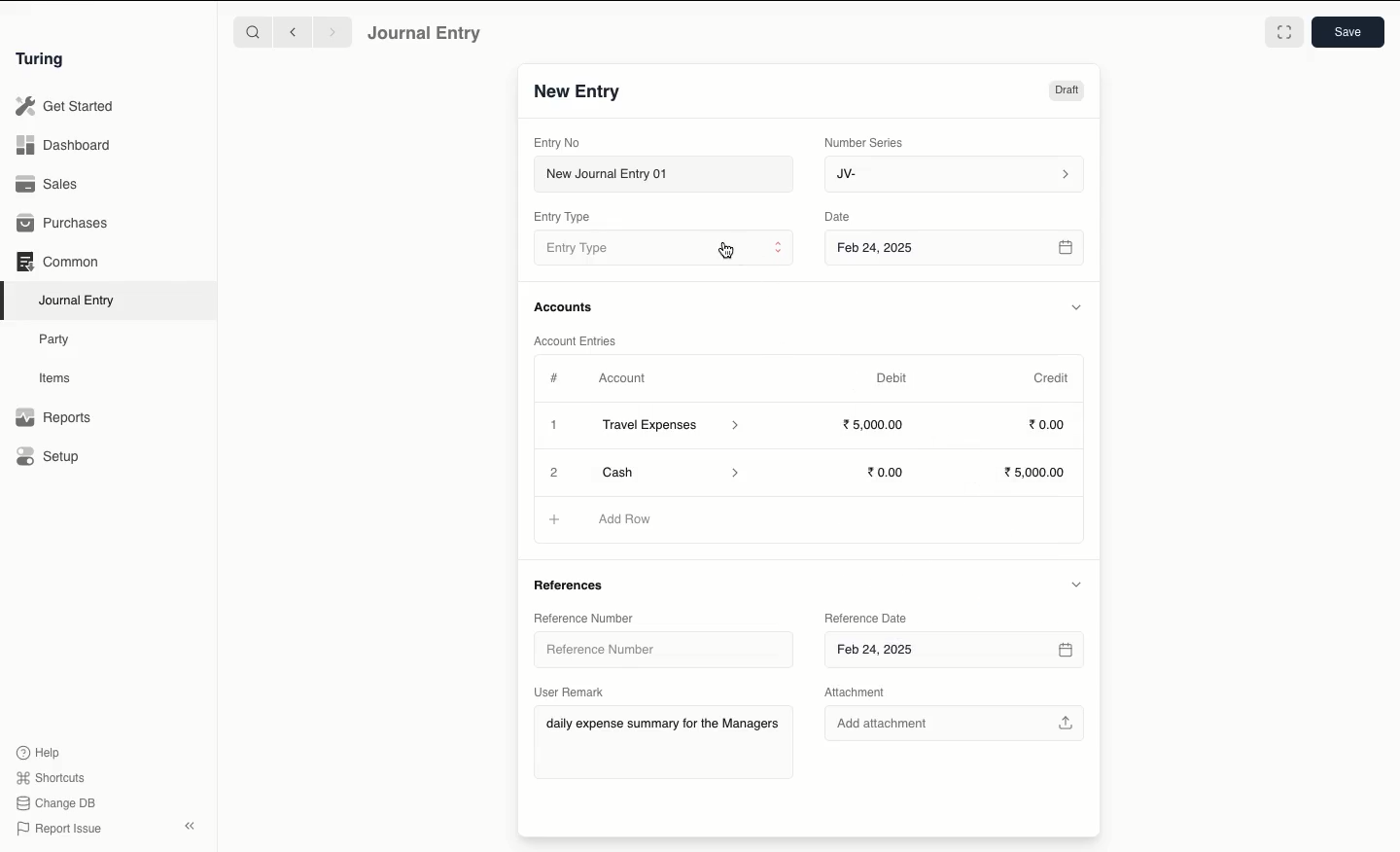  What do you see at coordinates (293, 31) in the screenshot?
I see `Backward` at bounding box center [293, 31].